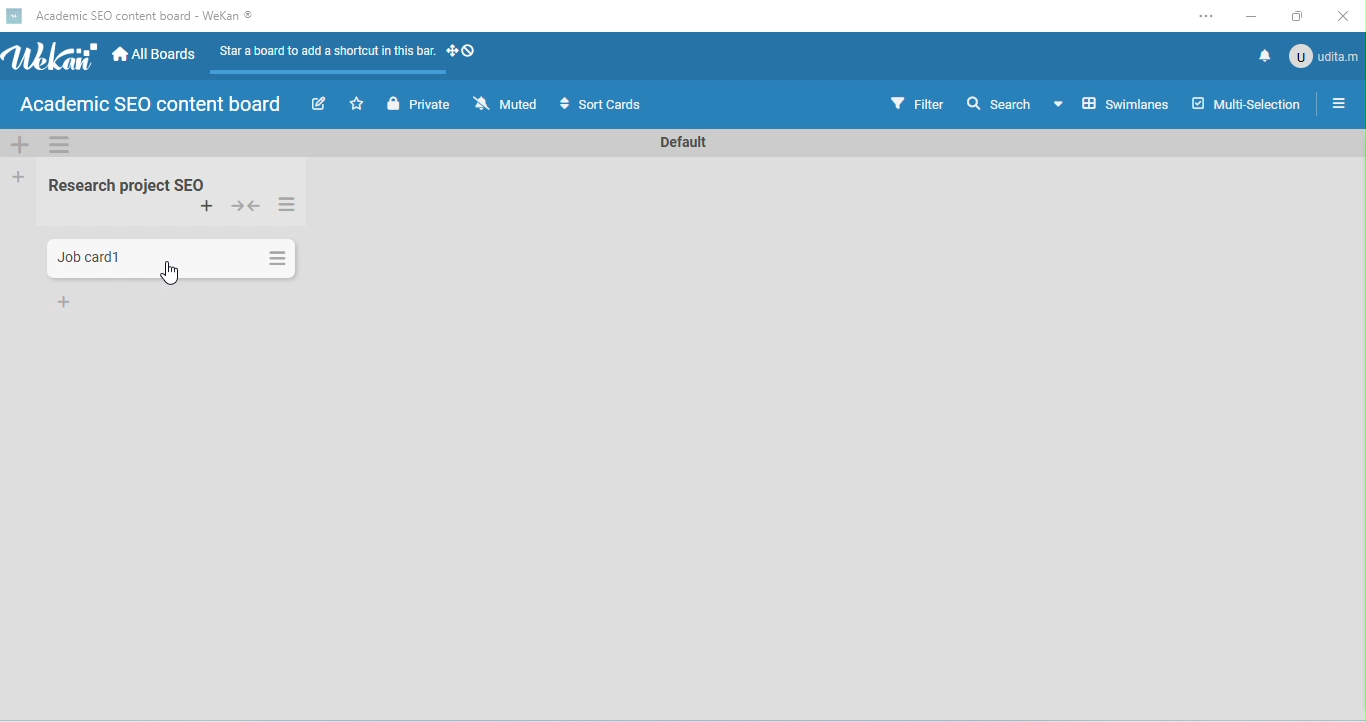 Image resolution: width=1366 pixels, height=722 pixels. I want to click on research project SEO, so click(126, 183).